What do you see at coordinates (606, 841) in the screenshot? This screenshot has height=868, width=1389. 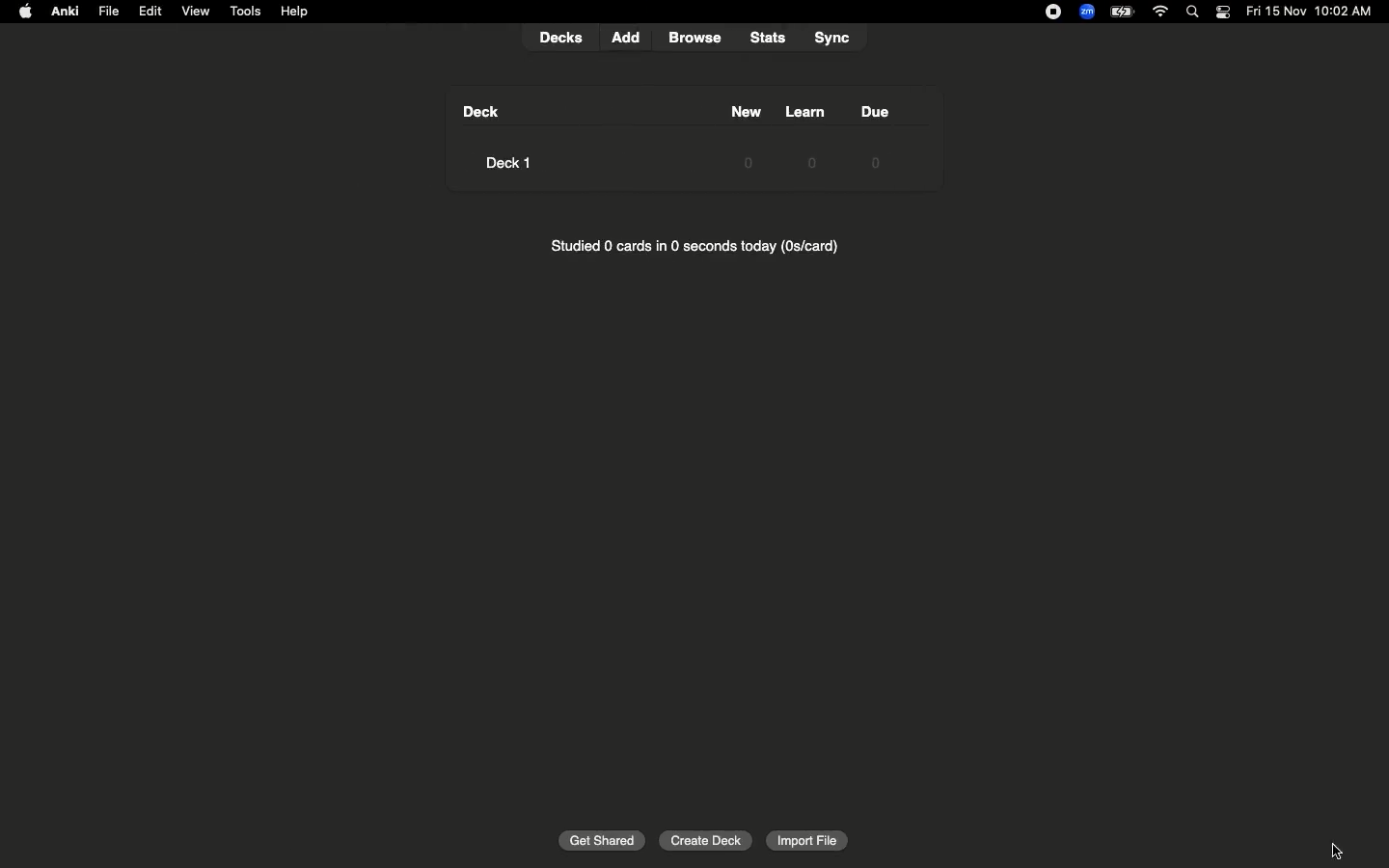 I see `` at bounding box center [606, 841].